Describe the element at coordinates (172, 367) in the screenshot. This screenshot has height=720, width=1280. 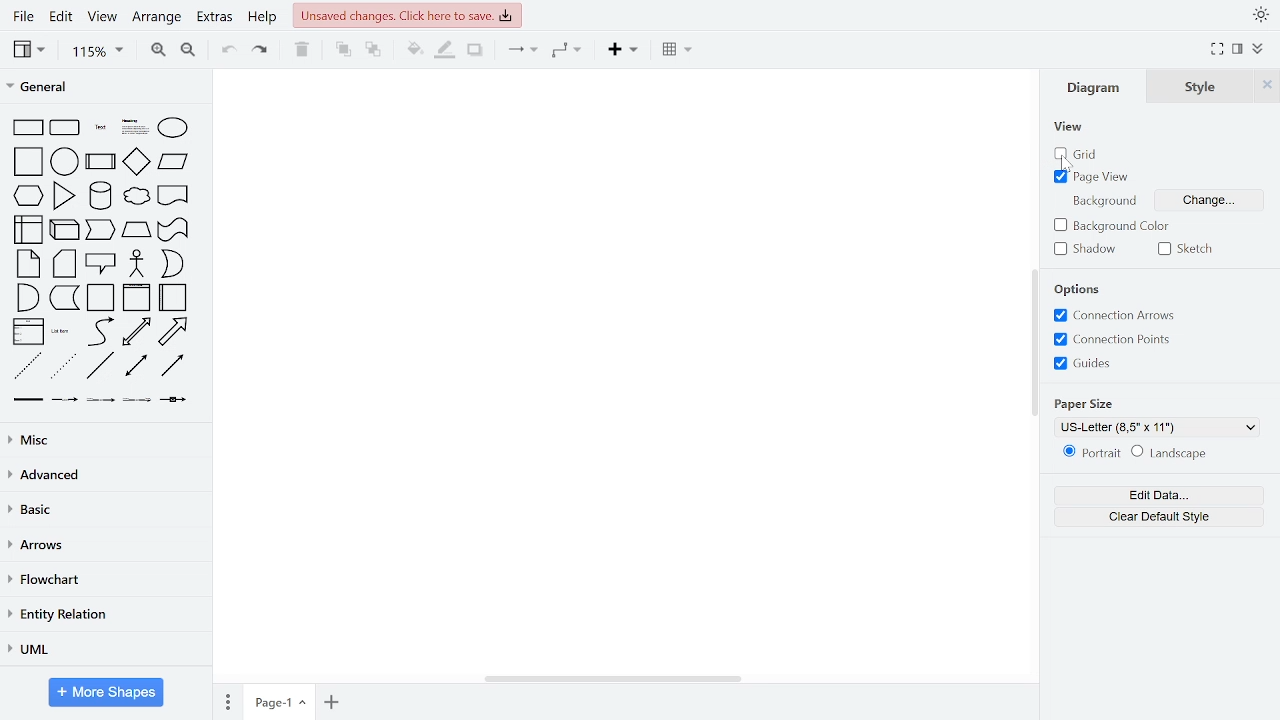
I see `directional connector` at that location.